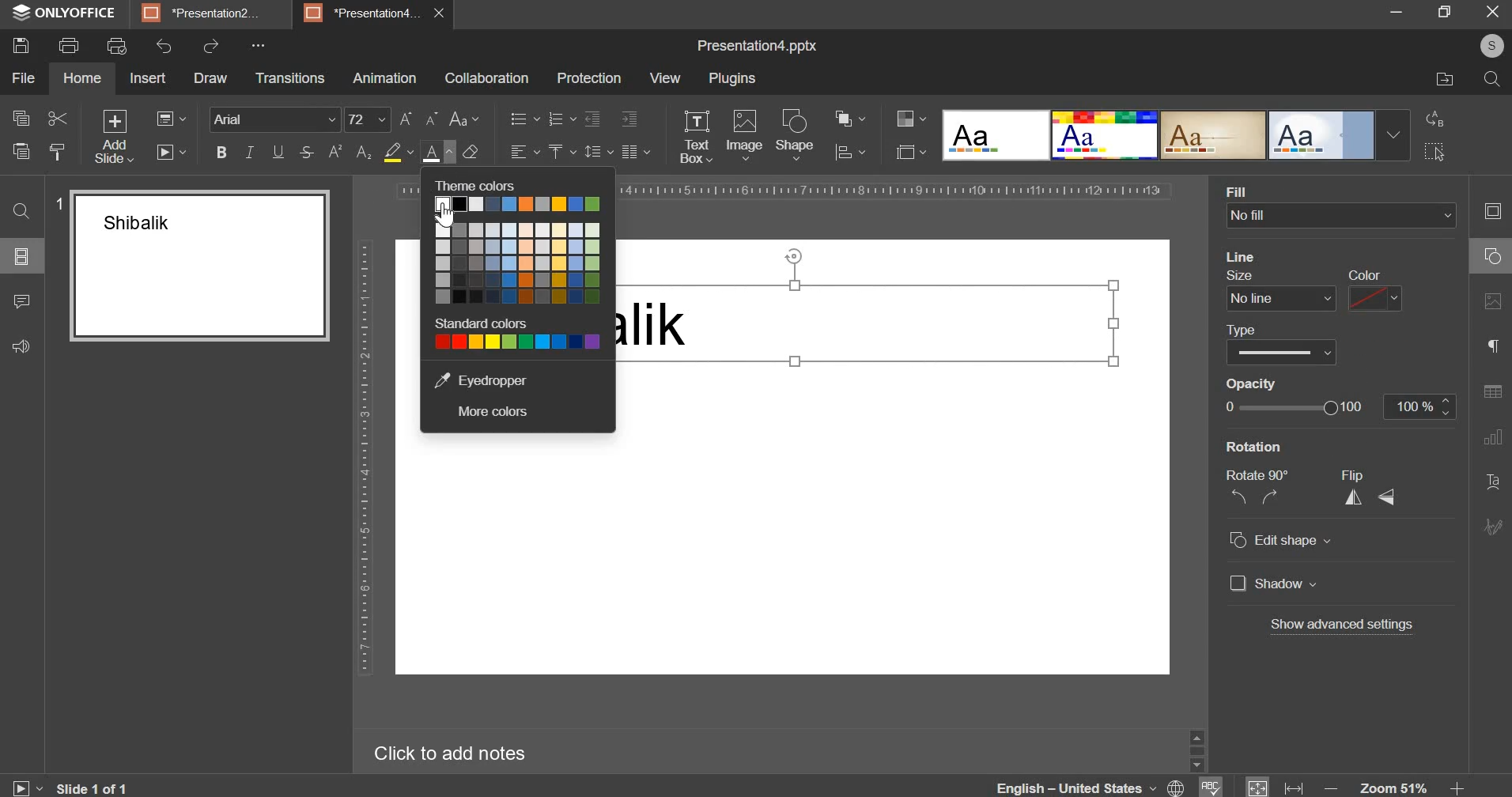 This screenshot has width=1512, height=797. What do you see at coordinates (367, 119) in the screenshot?
I see `font size` at bounding box center [367, 119].